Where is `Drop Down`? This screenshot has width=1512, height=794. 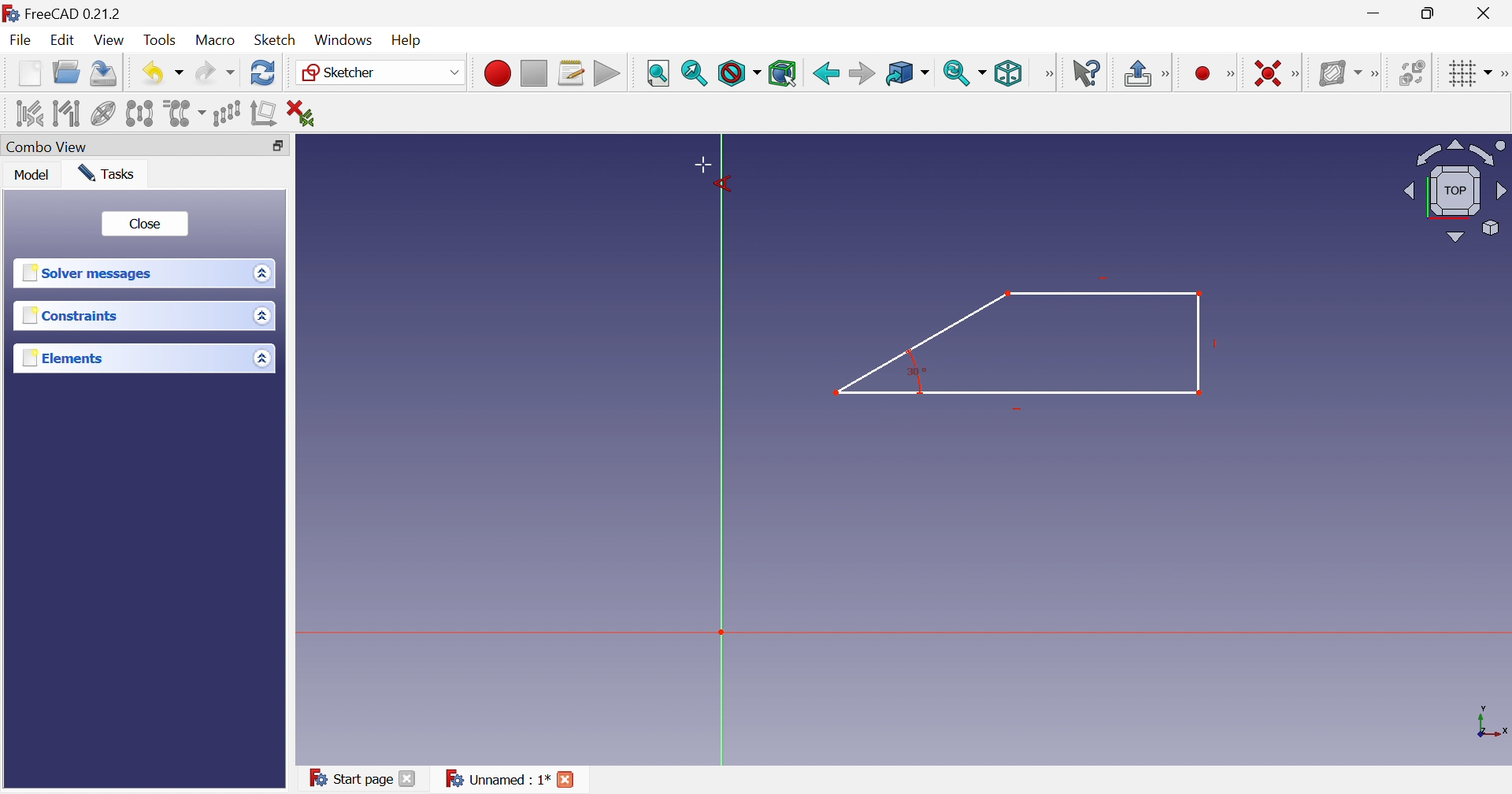 Drop Down is located at coordinates (1489, 70).